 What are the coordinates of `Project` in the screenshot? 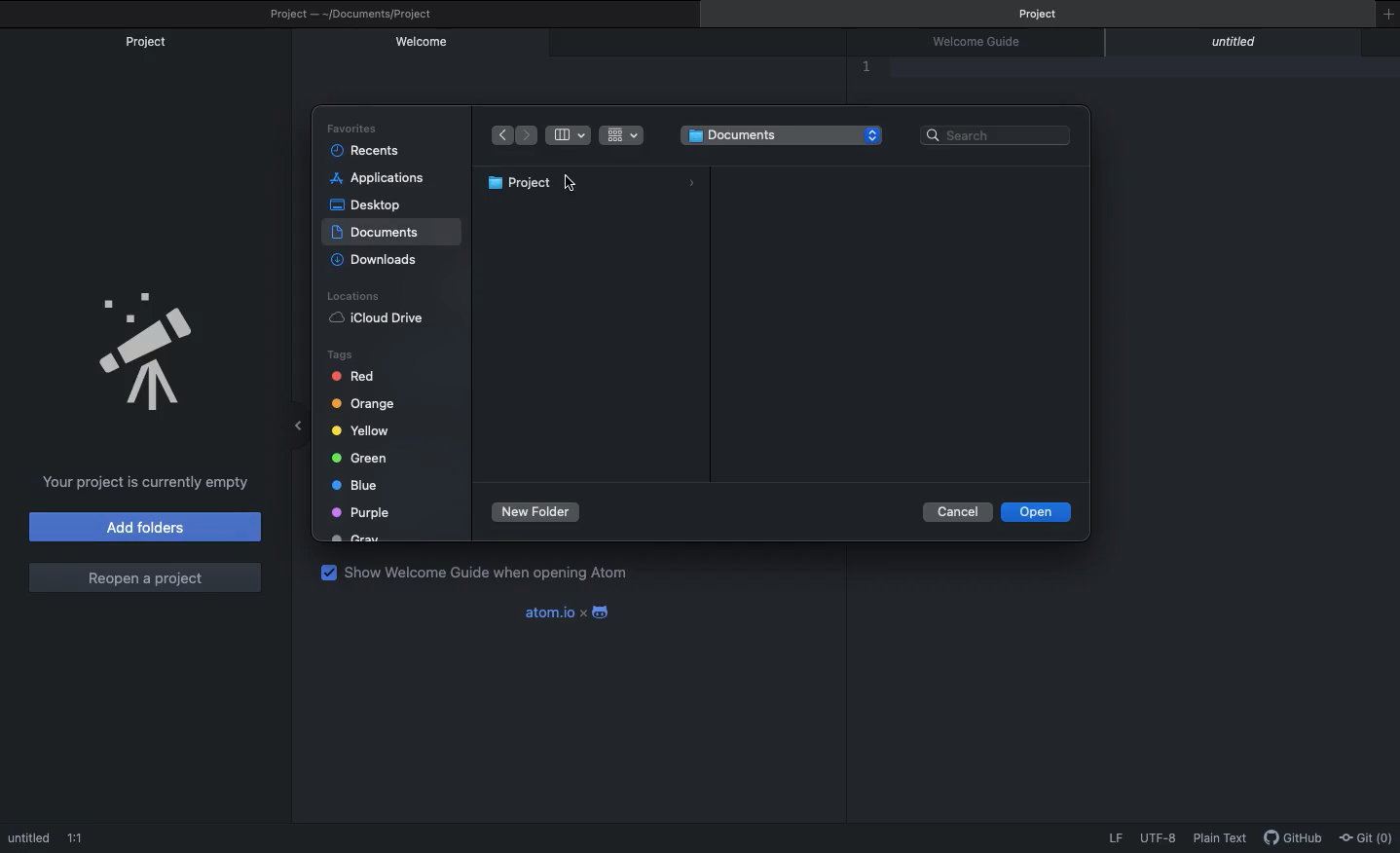 It's located at (150, 43).